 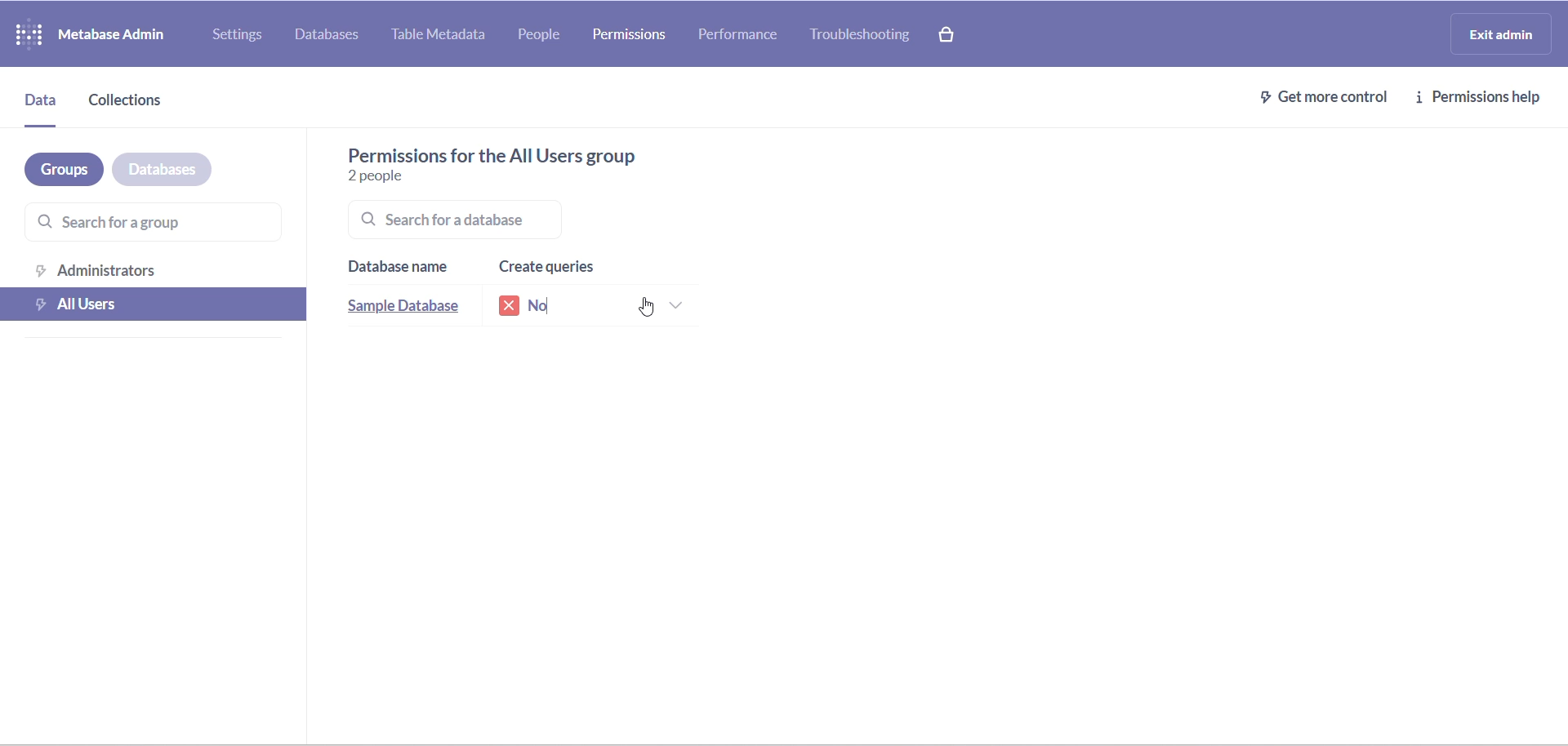 What do you see at coordinates (331, 37) in the screenshot?
I see `databases` at bounding box center [331, 37].